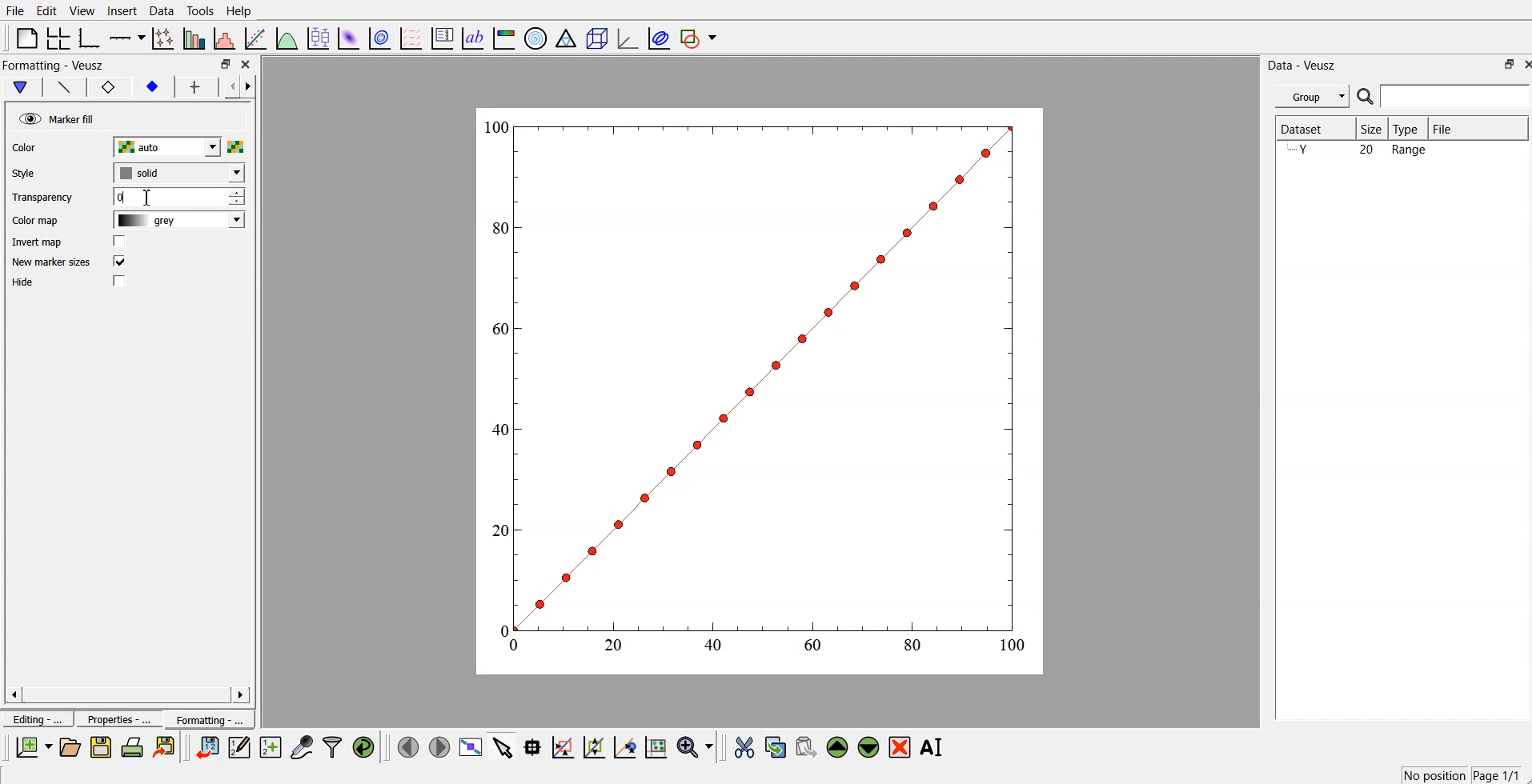  What do you see at coordinates (52, 65) in the screenshot?
I see `Properties - Veusz` at bounding box center [52, 65].